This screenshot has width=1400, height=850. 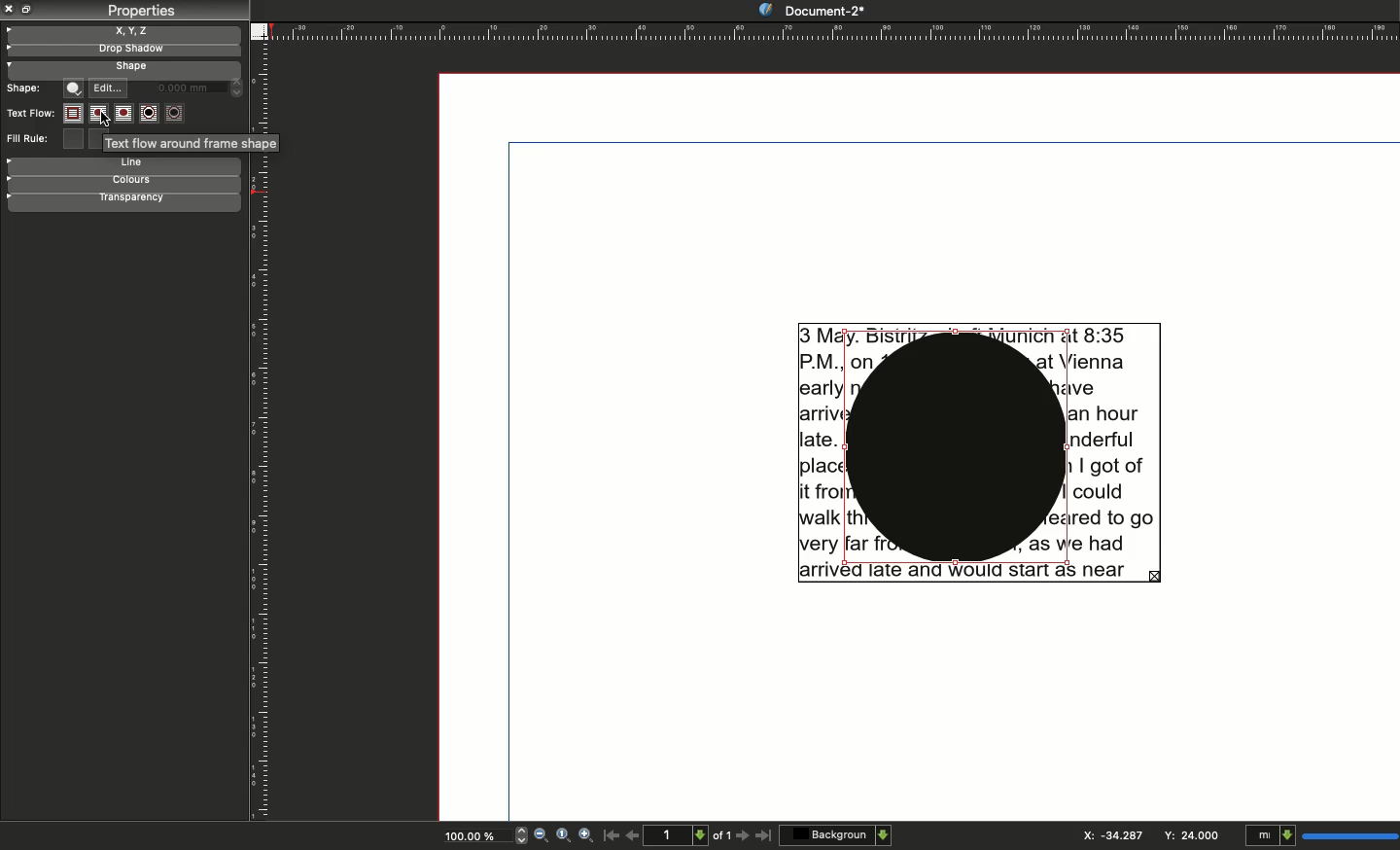 What do you see at coordinates (583, 836) in the screenshot?
I see `Zoom in` at bounding box center [583, 836].